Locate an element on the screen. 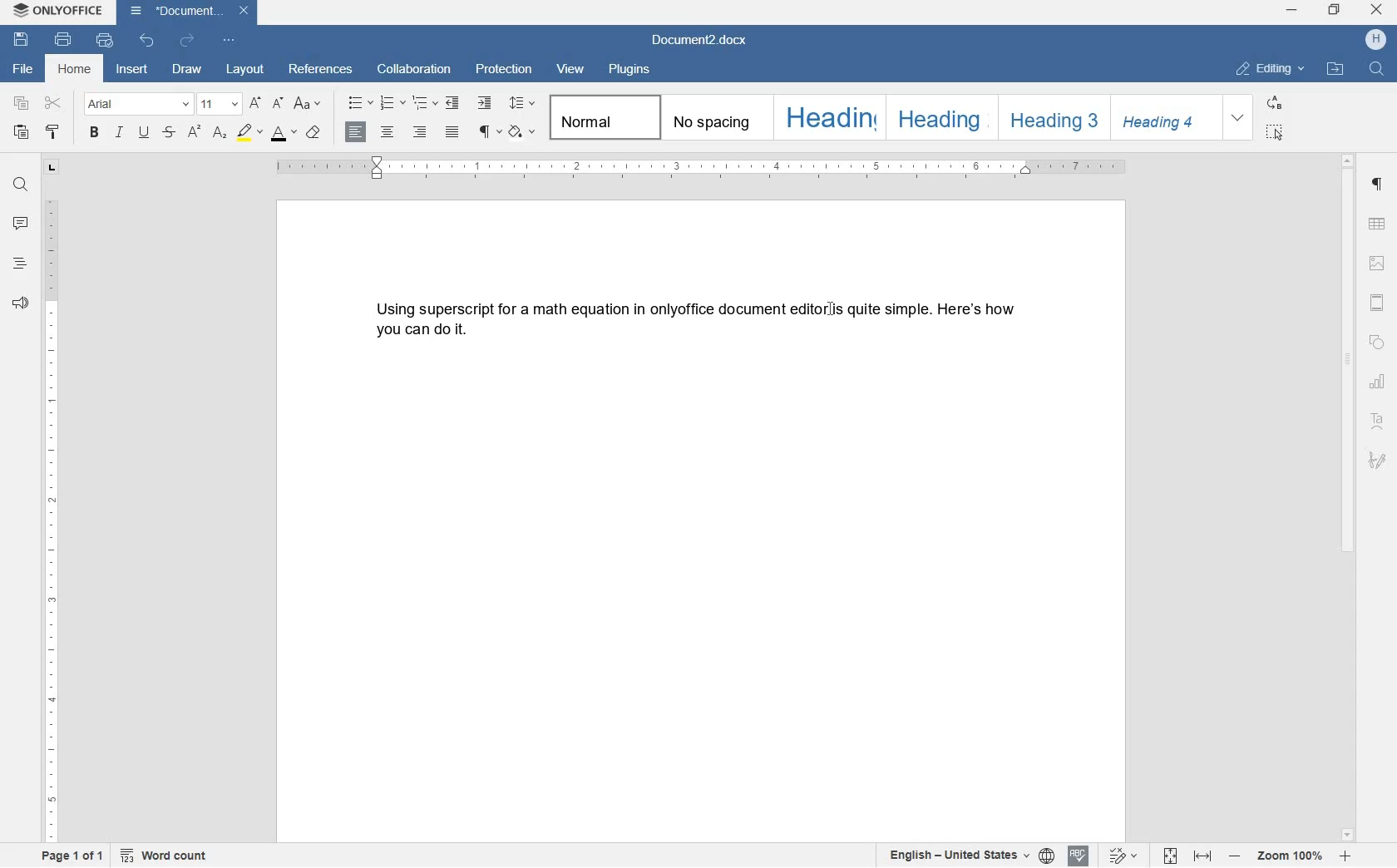 The height and width of the screenshot is (868, 1397). bold is located at coordinates (93, 133).